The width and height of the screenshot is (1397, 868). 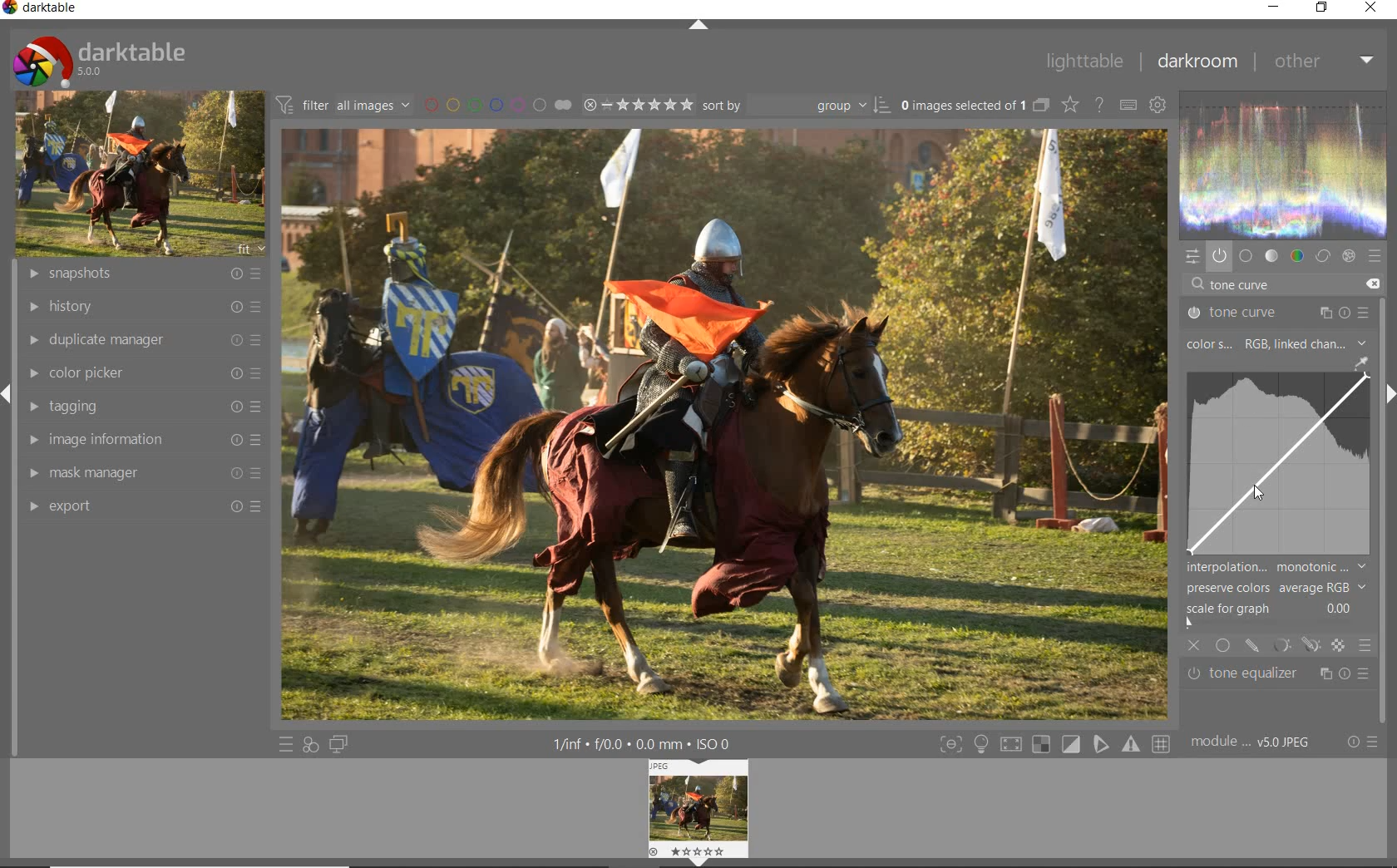 What do you see at coordinates (1372, 8) in the screenshot?
I see `close` at bounding box center [1372, 8].